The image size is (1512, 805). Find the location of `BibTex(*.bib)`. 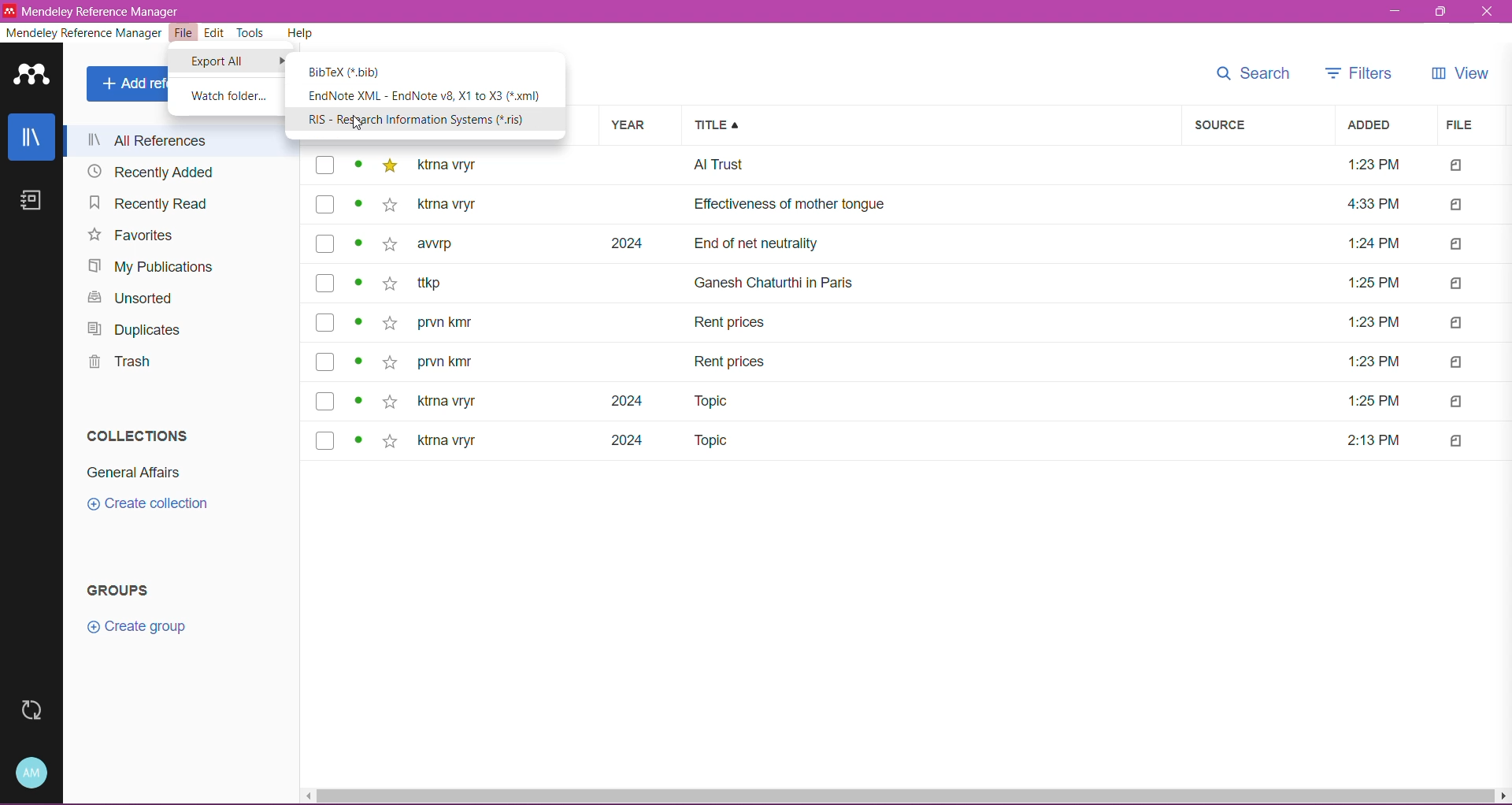

BibTex(*.bib) is located at coordinates (346, 72).